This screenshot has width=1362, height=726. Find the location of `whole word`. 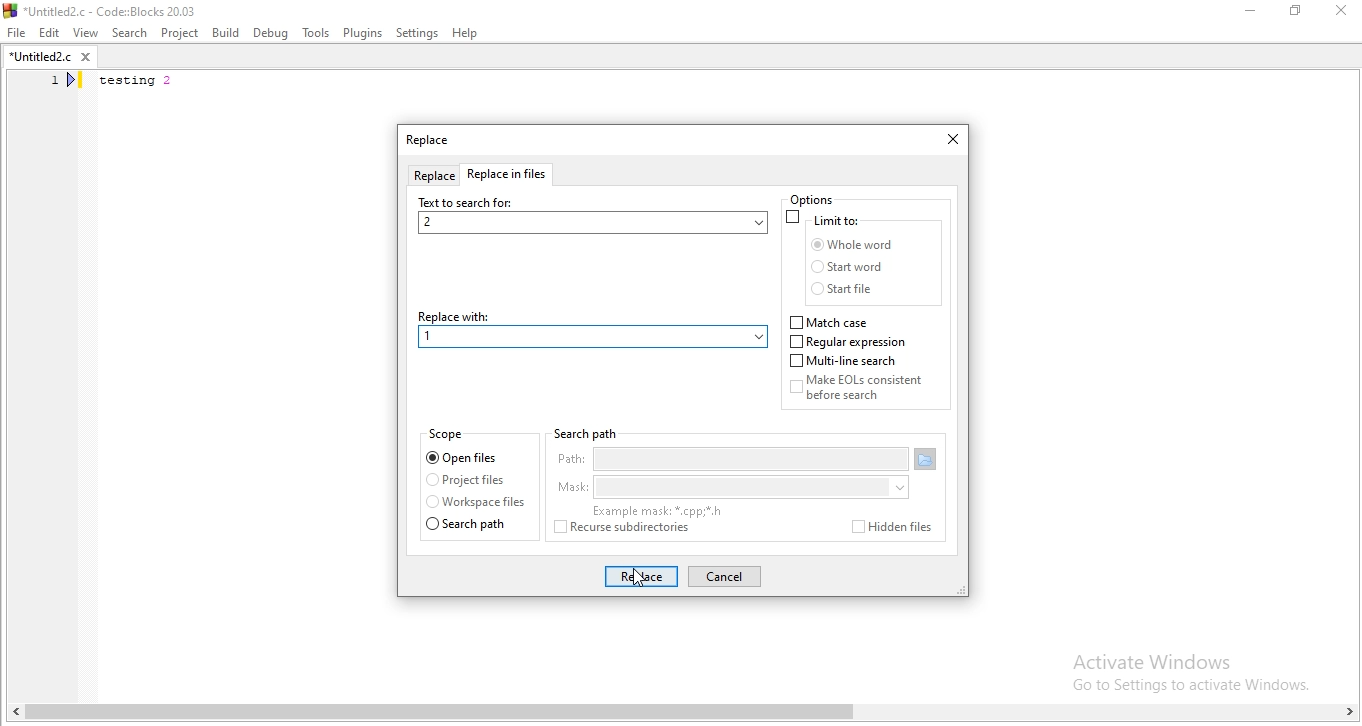

whole word is located at coordinates (850, 245).